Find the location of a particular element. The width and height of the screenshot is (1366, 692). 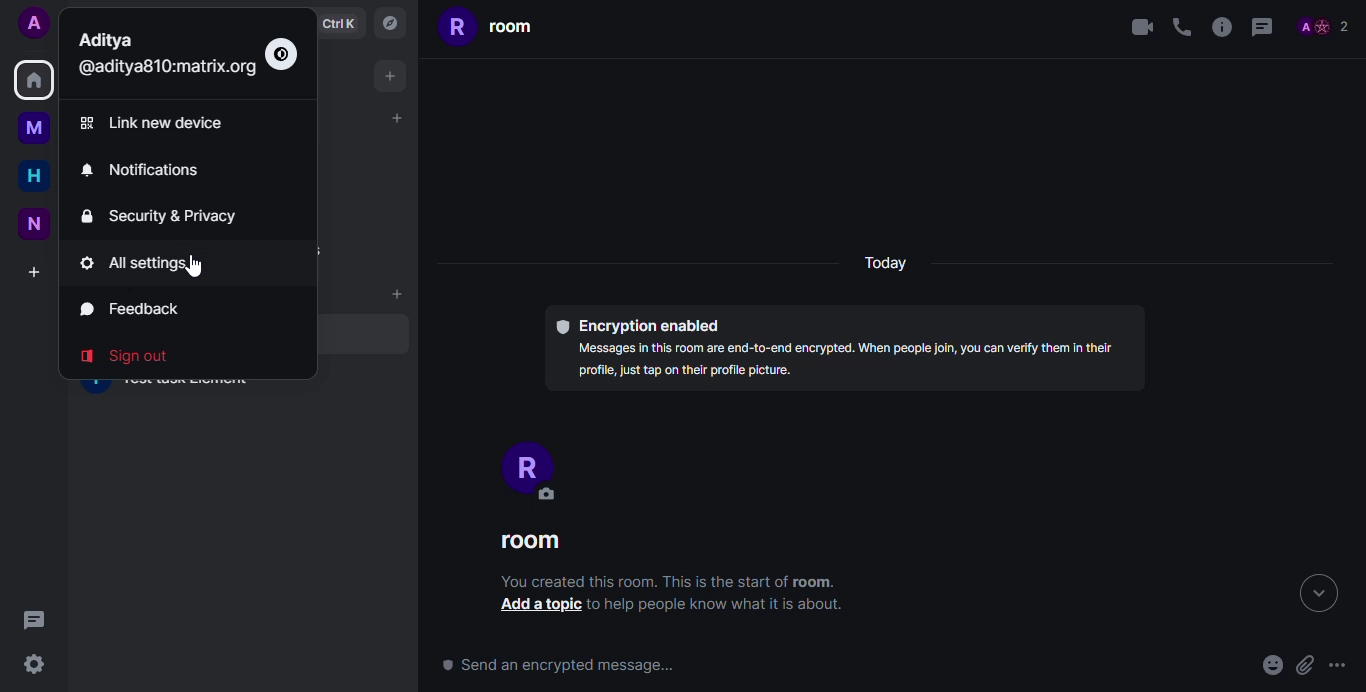

video call is located at coordinates (1137, 27).